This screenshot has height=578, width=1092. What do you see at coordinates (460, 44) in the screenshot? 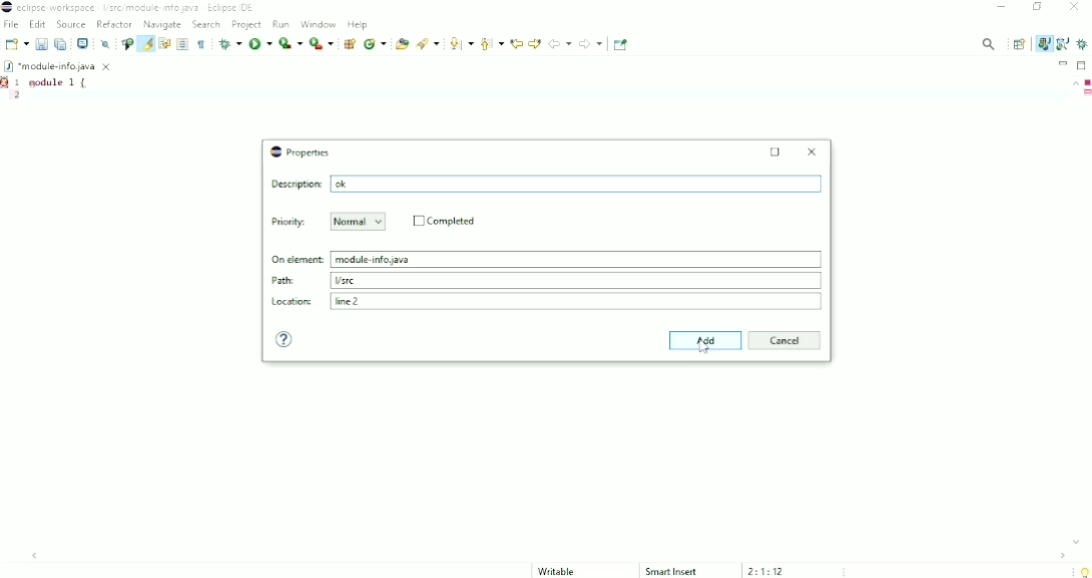
I see `Next annotation` at bounding box center [460, 44].